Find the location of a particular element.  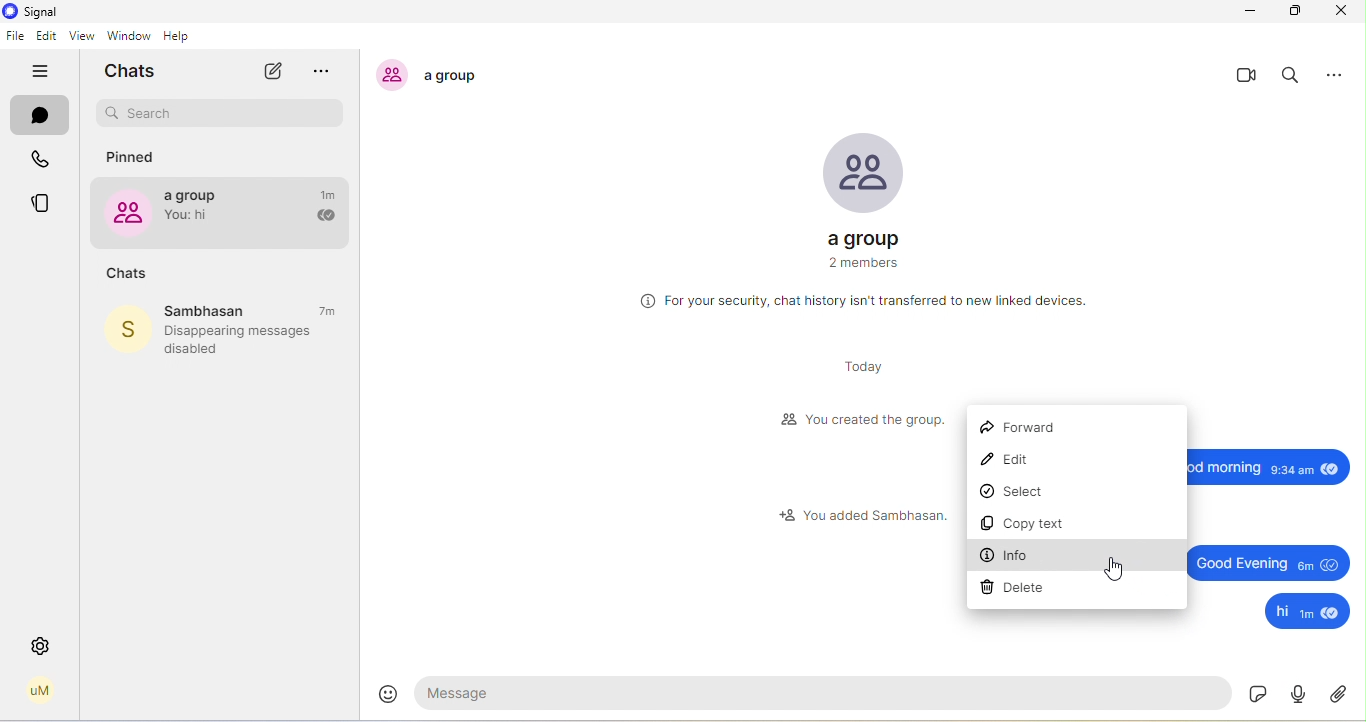

edit is located at coordinates (1014, 462).